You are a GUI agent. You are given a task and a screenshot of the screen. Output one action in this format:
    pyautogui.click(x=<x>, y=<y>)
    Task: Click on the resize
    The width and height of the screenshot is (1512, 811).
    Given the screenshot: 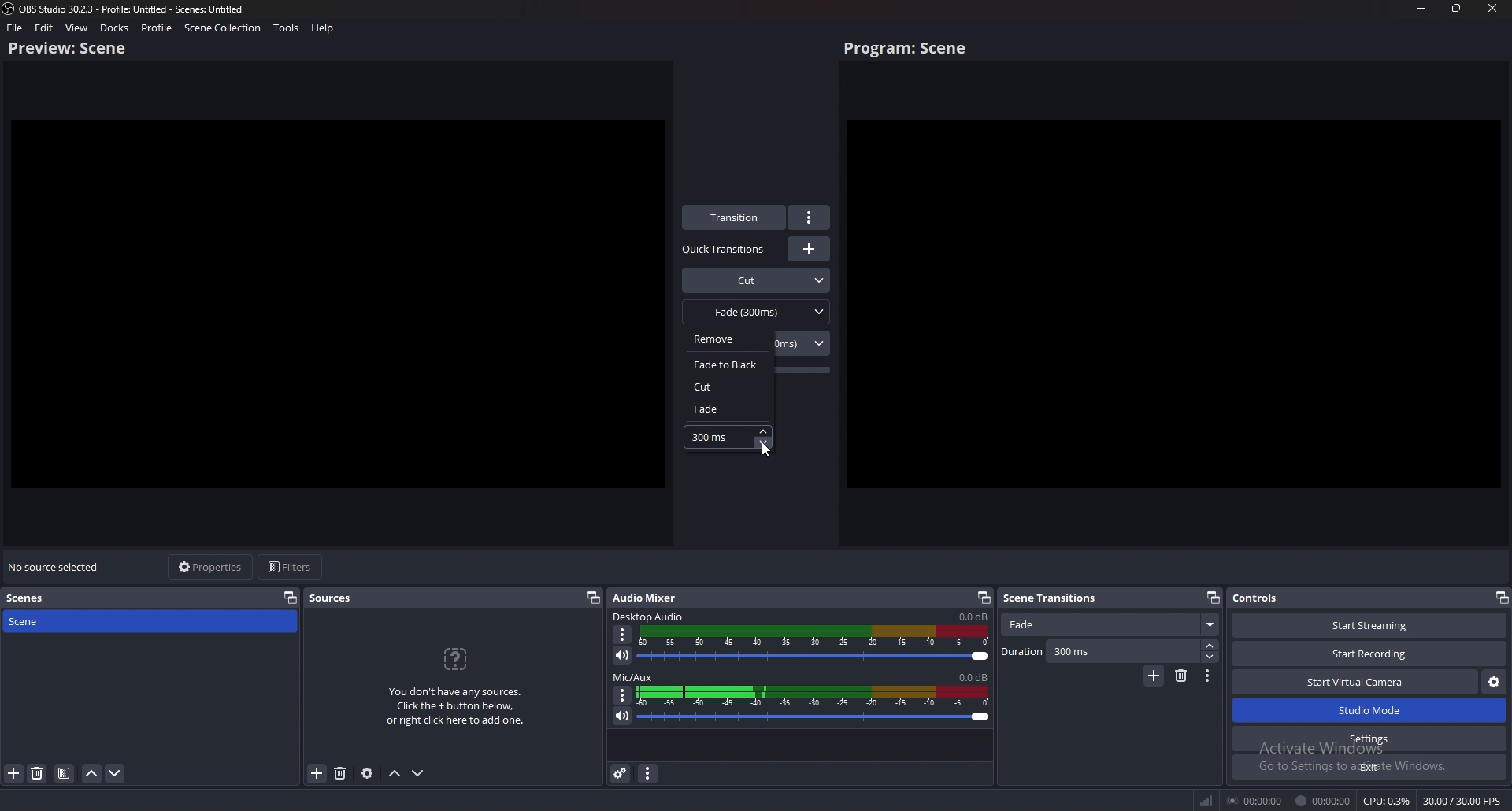 What is the action you would take?
    pyautogui.click(x=1457, y=8)
    